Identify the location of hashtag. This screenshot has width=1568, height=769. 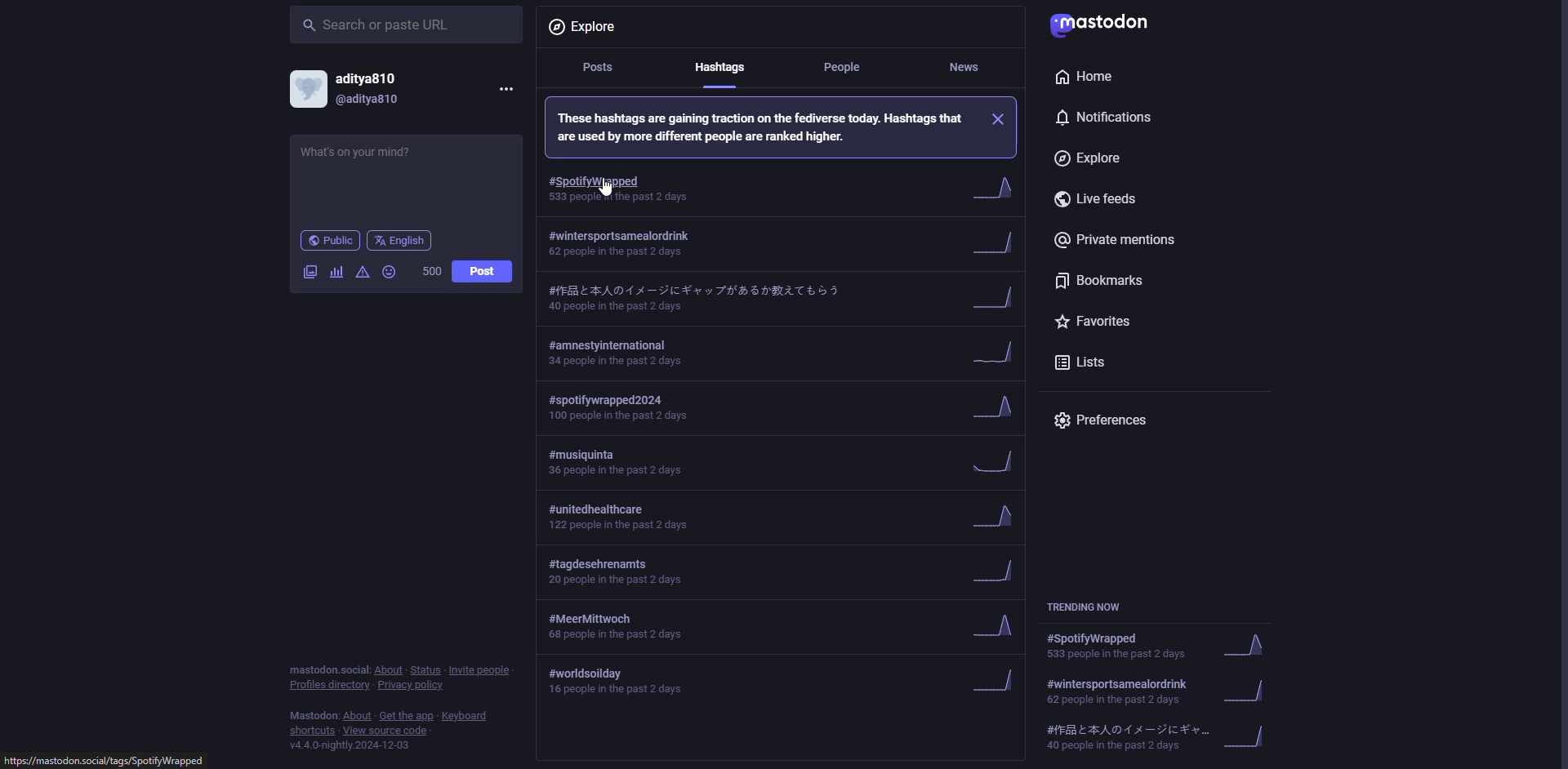
(626, 624).